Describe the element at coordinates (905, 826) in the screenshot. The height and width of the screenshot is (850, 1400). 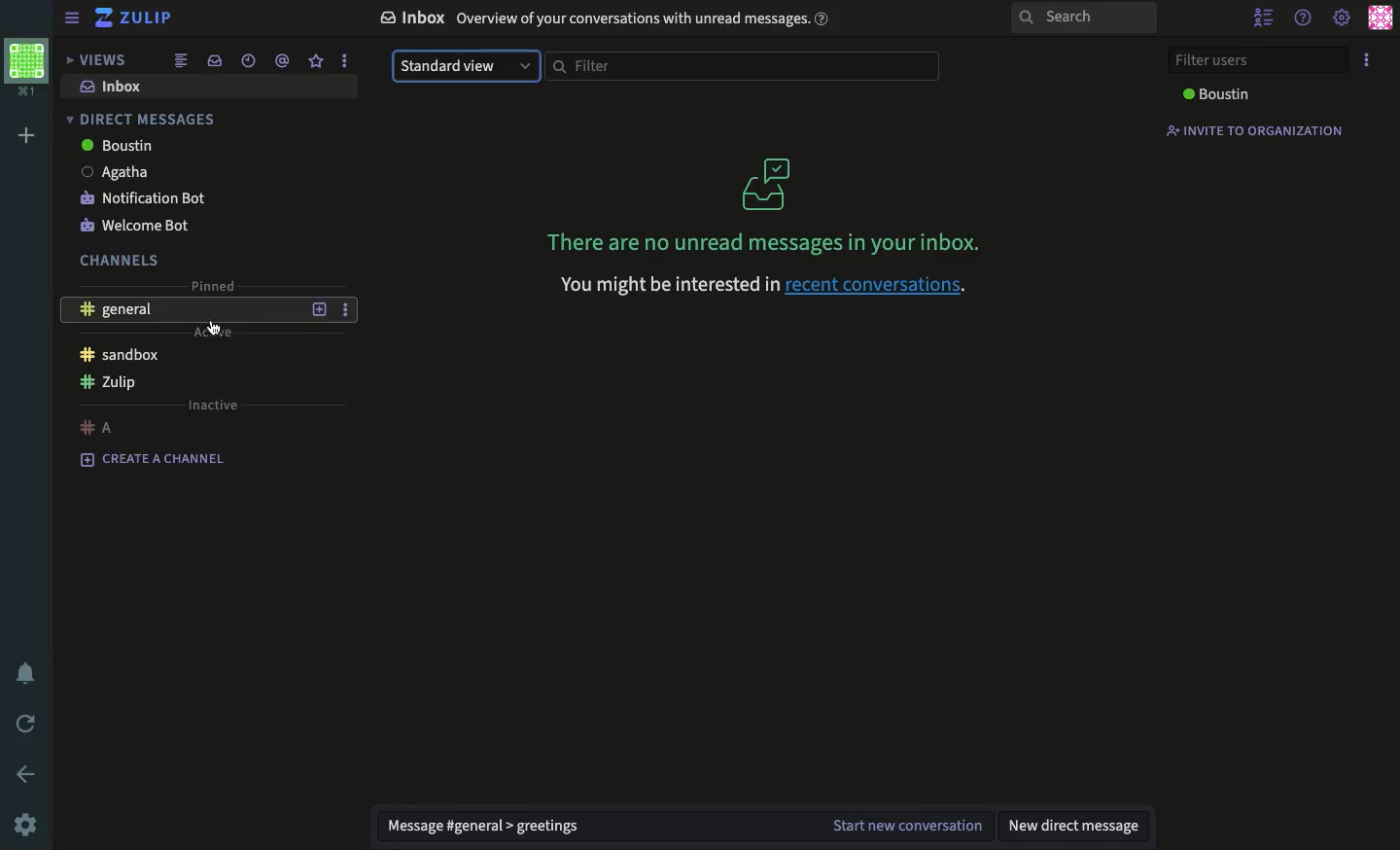
I see `start new conversation` at that location.